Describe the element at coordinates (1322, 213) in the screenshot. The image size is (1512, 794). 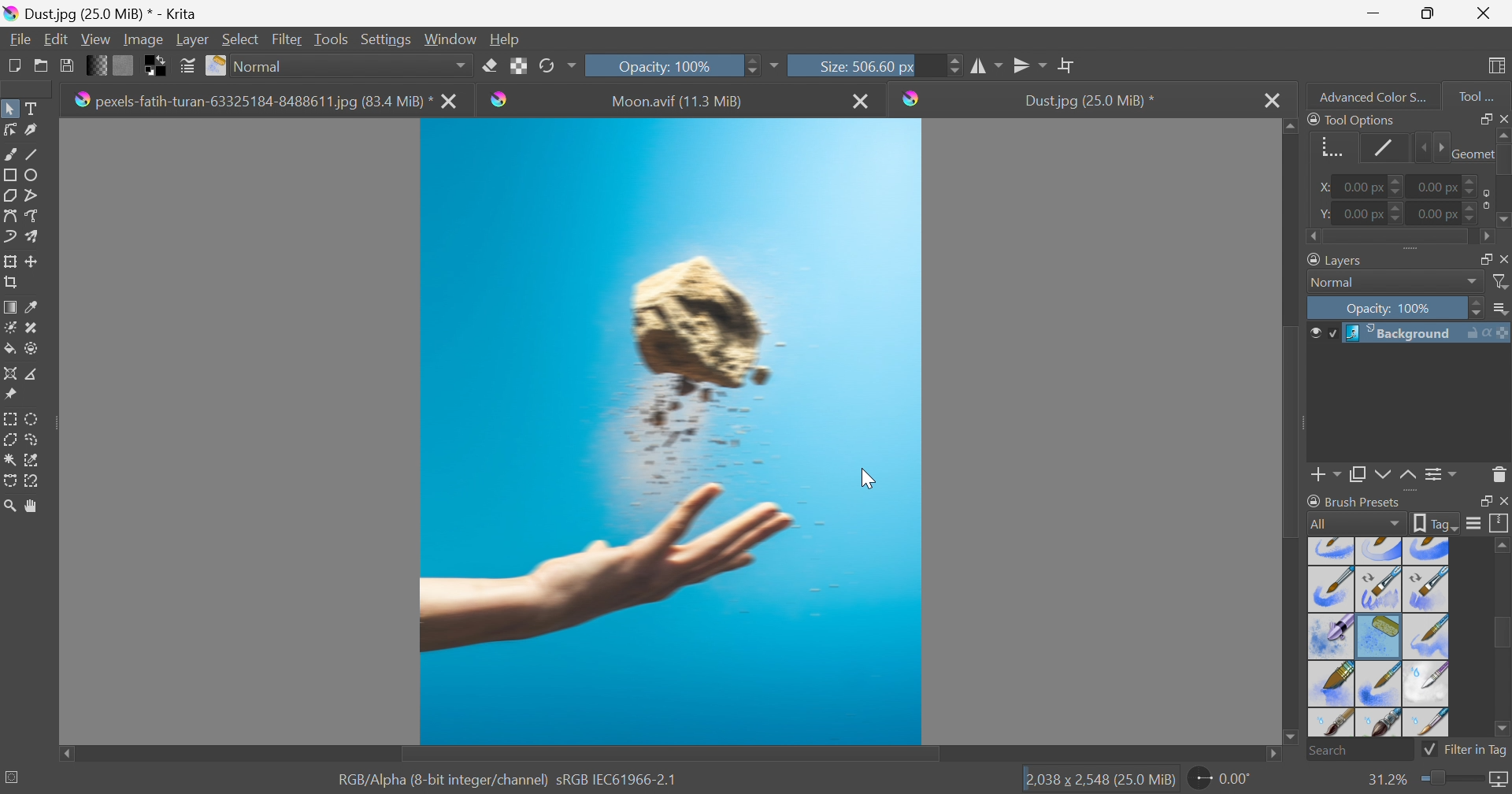
I see `Y:` at that location.